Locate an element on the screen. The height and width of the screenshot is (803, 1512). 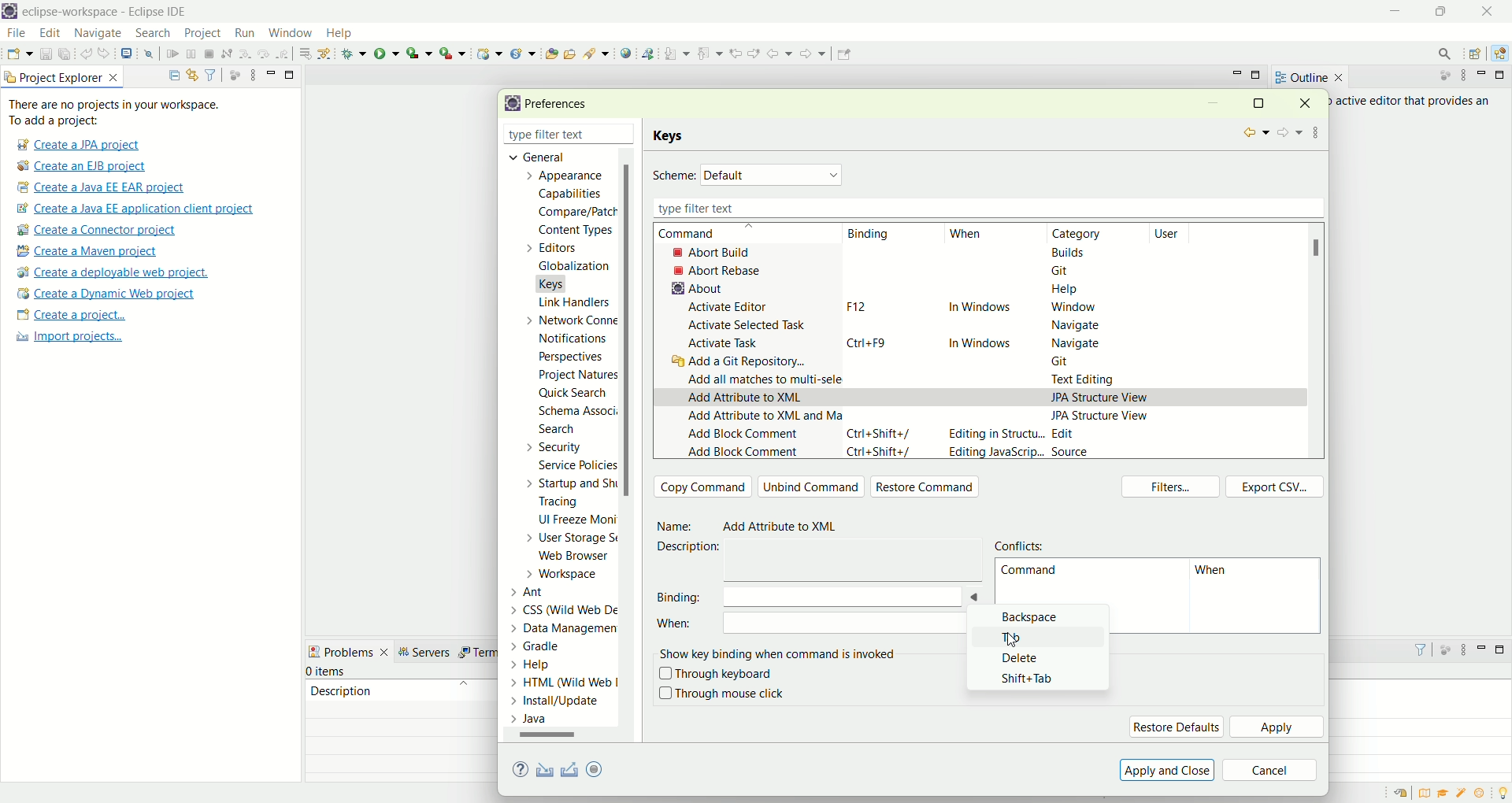
navigate is located at coordinates (1072, 326).